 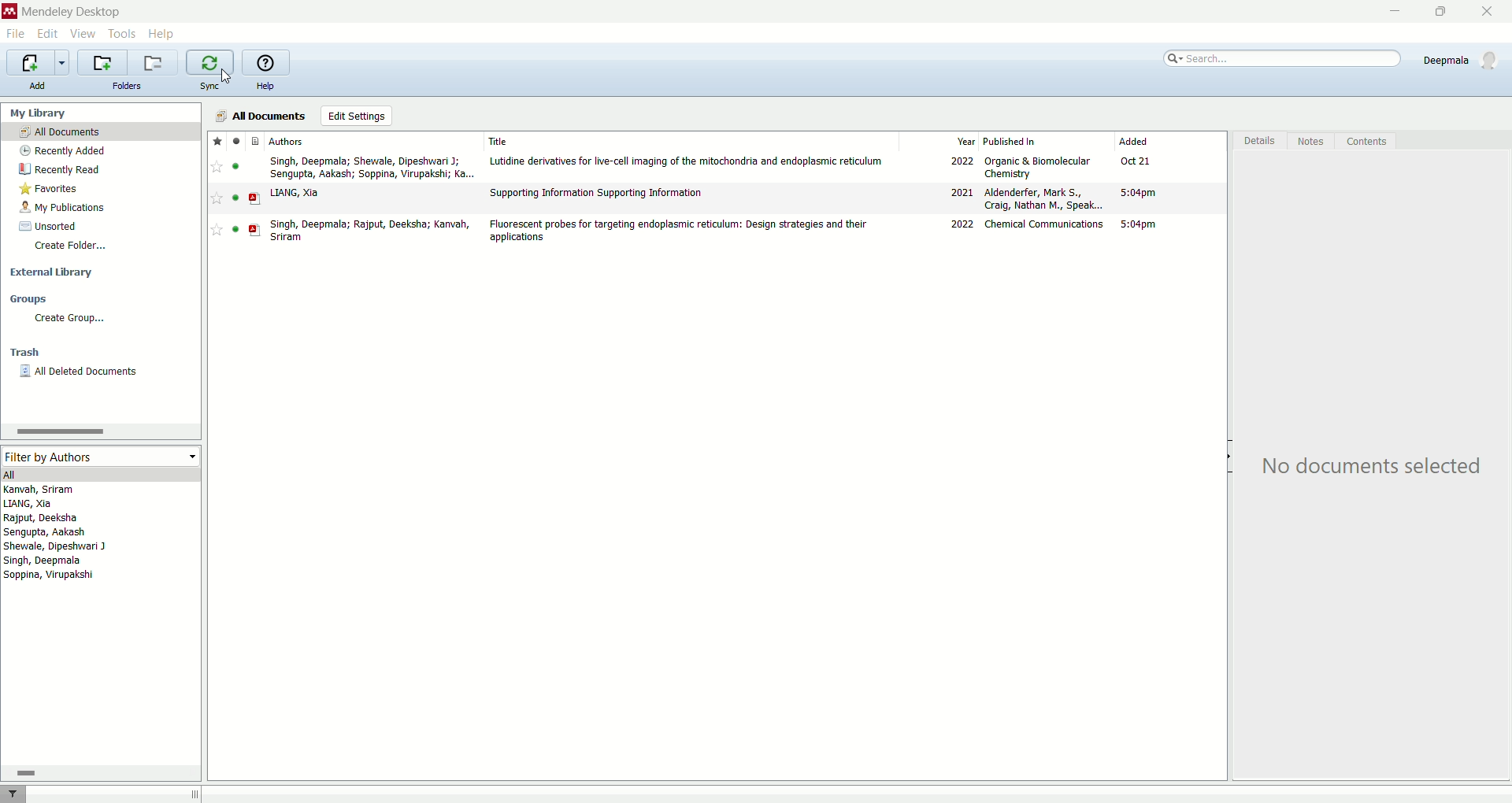 What do you see at coordinates (217, 141) in the screenshot?
I see `favorites` at bounding box center [217, 141].